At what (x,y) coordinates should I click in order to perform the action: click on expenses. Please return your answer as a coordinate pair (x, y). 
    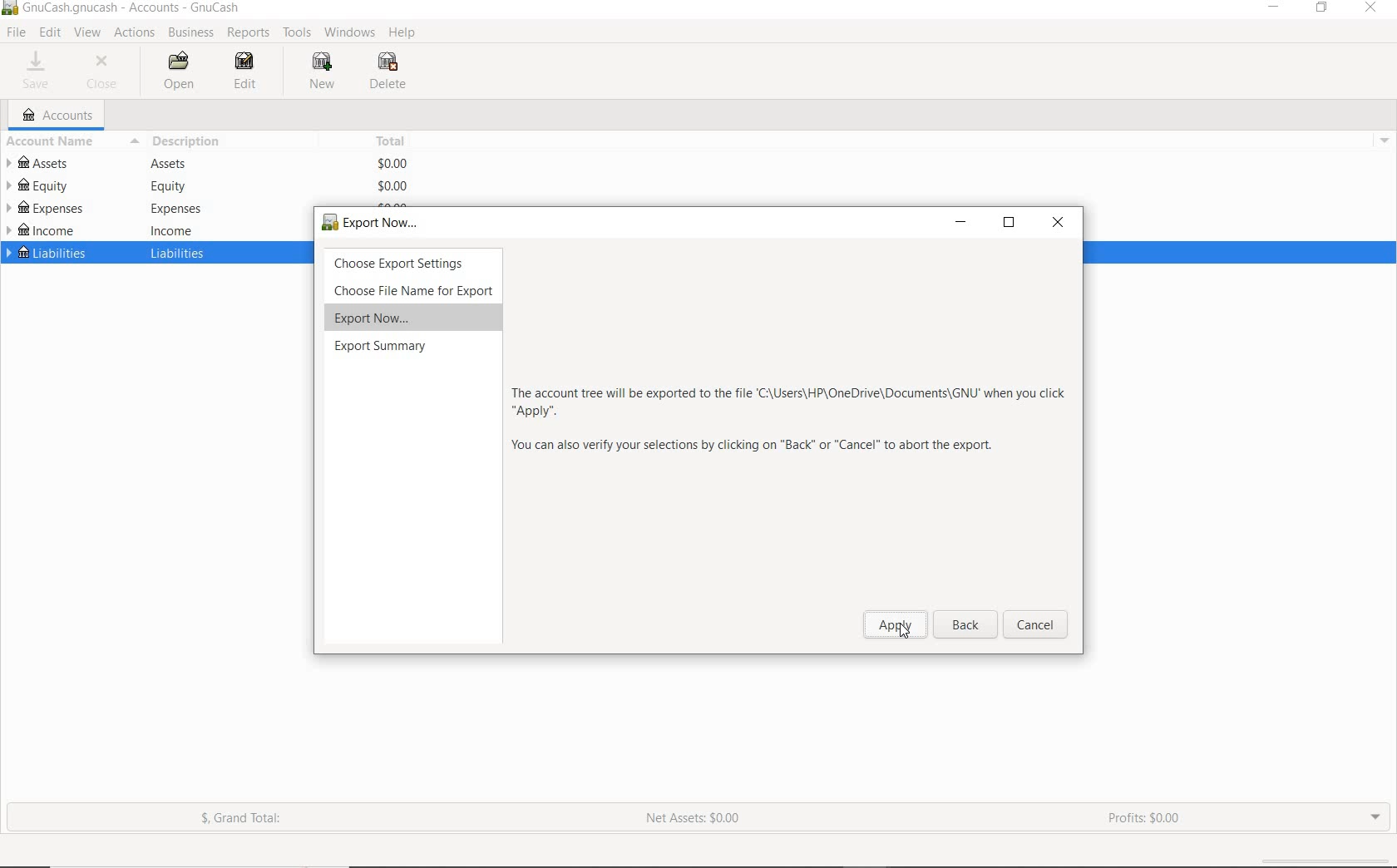
    Looking at the image, I should click on (174, 209).